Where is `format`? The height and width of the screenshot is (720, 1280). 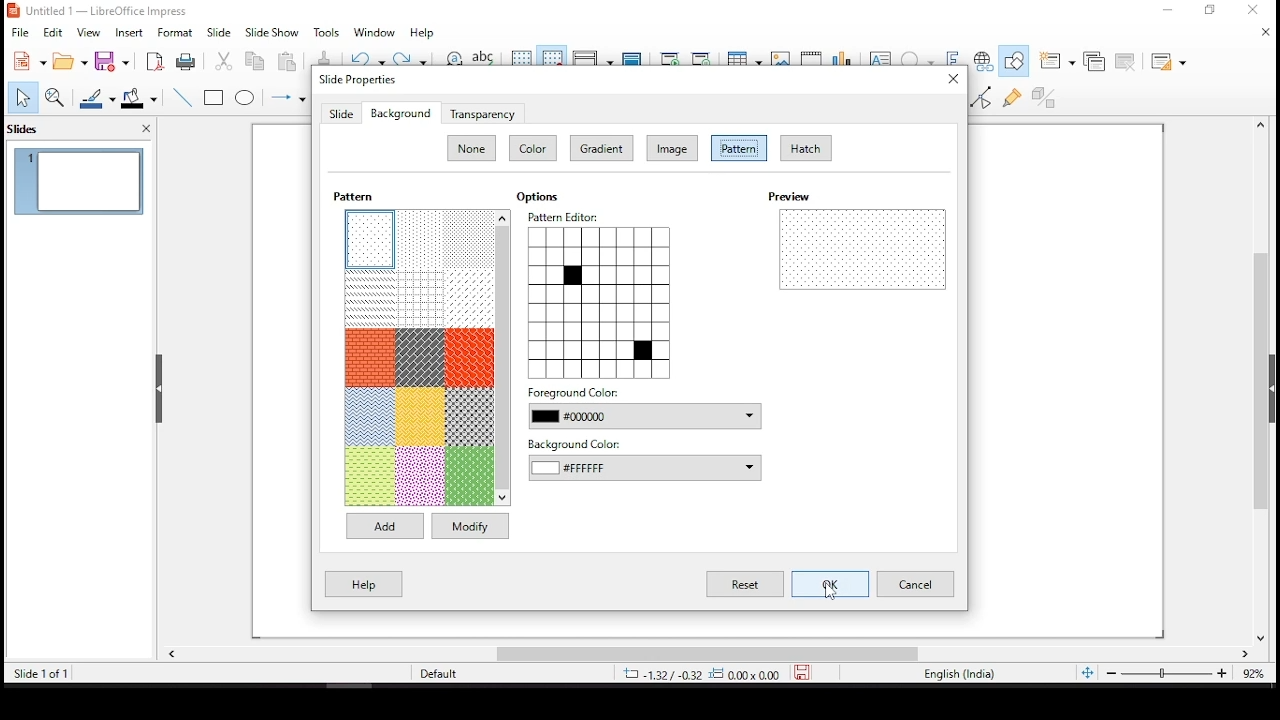 format is located at coordinates (175, 33).